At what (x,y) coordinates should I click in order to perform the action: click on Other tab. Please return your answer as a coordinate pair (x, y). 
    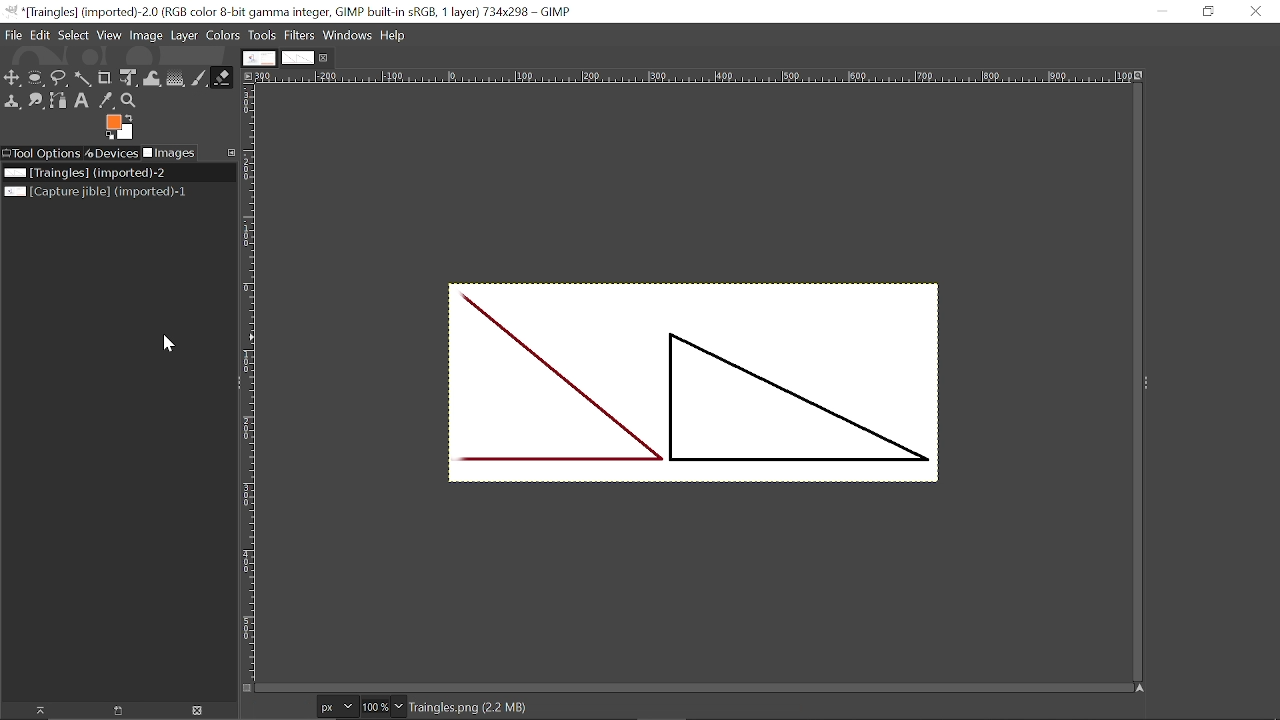
    Looking at the image, I should click on (259, 58).